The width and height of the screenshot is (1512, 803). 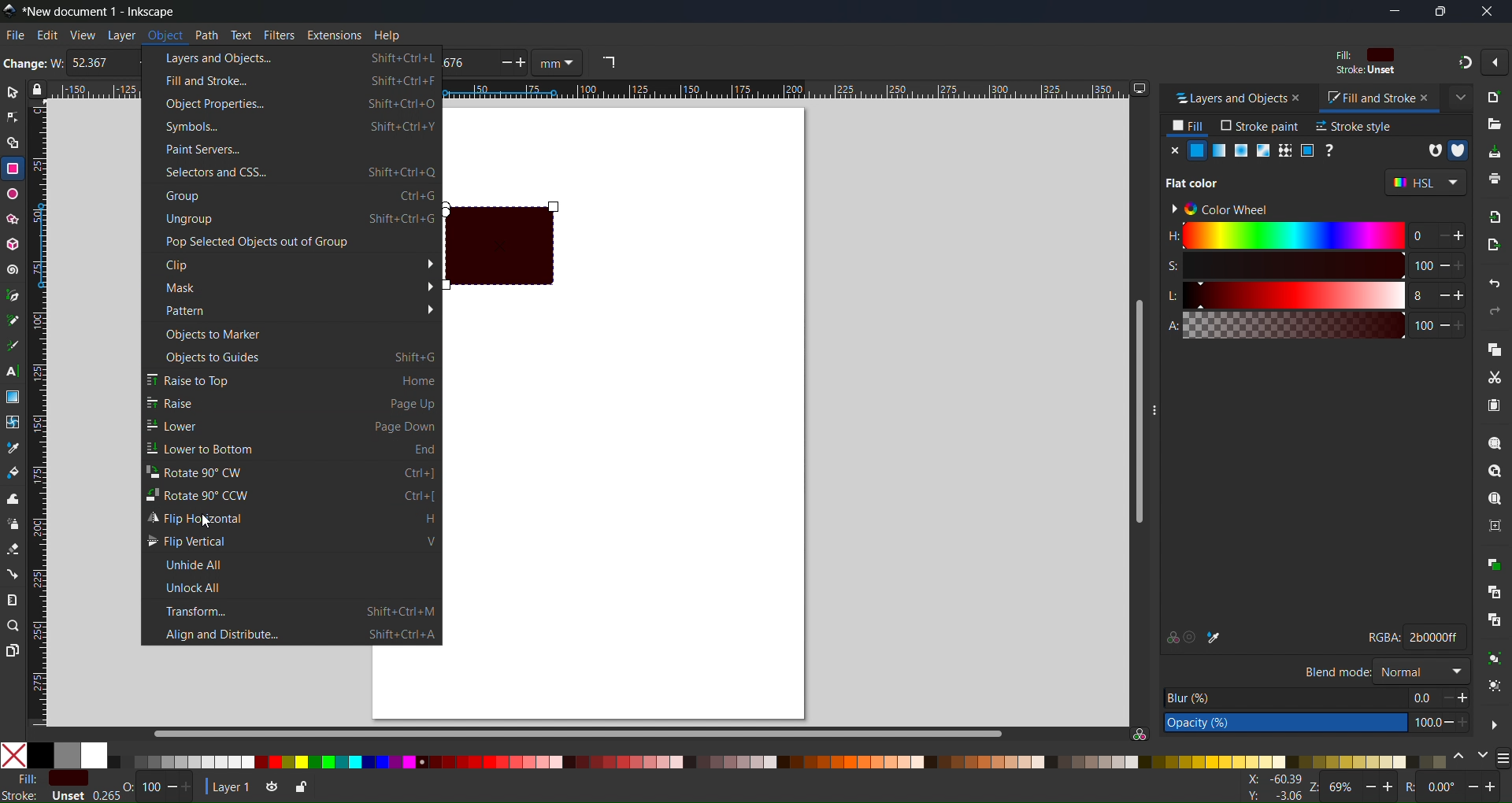 I want to click on Help, so click(x=386, y=35).